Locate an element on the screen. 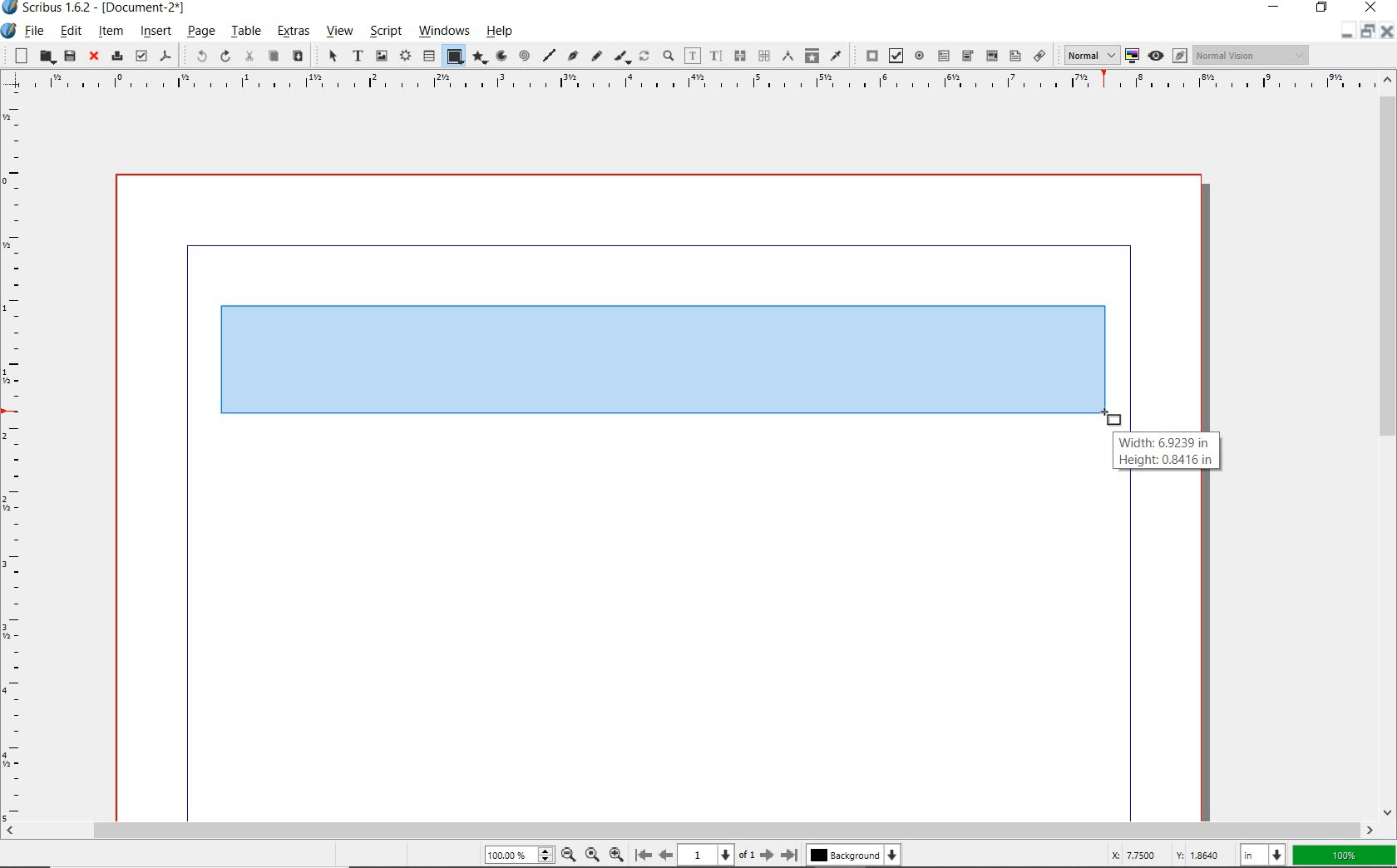 The image size is (1397, 868). pdf text field is located at coordinates (944, 56).